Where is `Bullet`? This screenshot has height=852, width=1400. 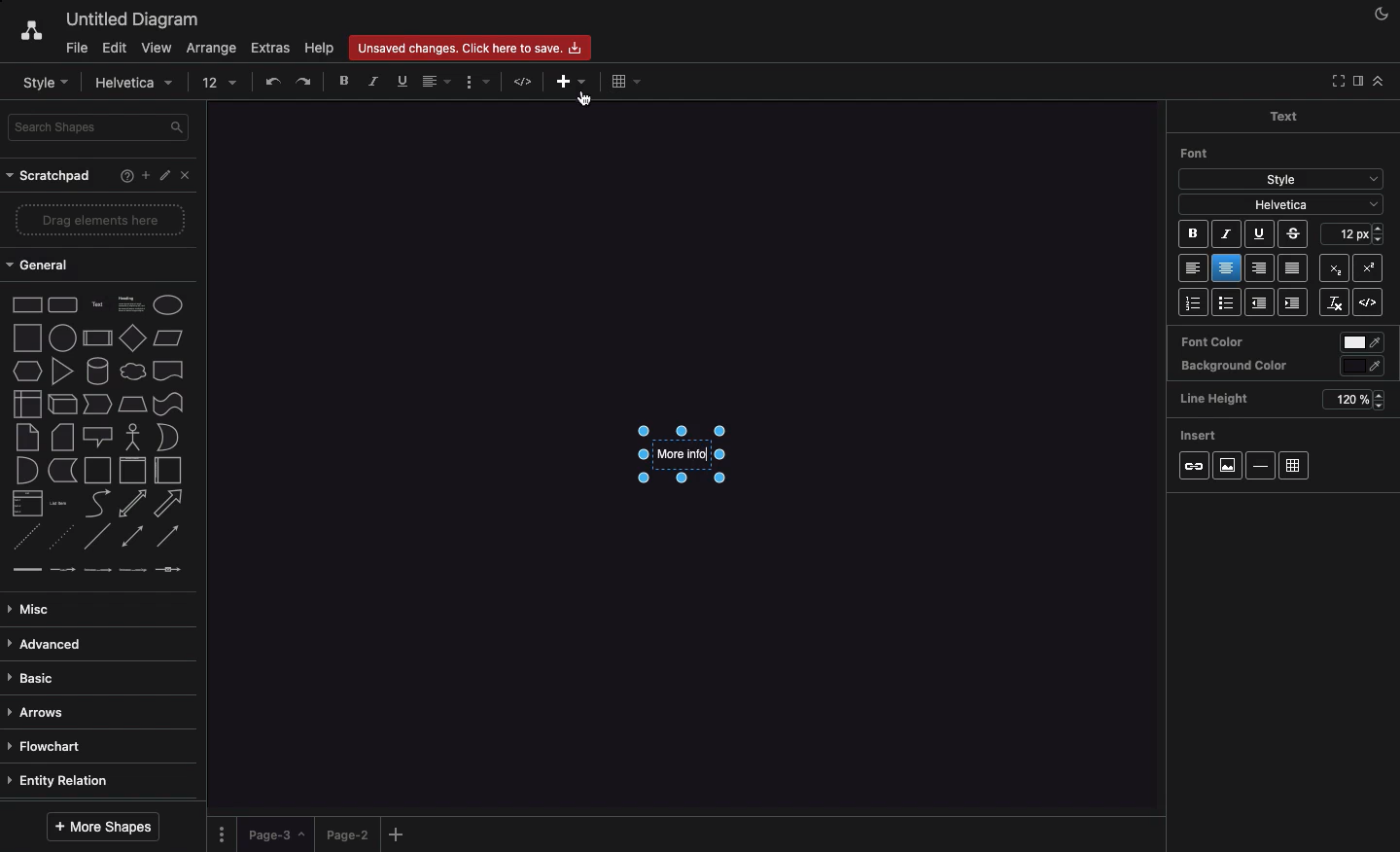 Bullet is located at coordinates (1227, 303).